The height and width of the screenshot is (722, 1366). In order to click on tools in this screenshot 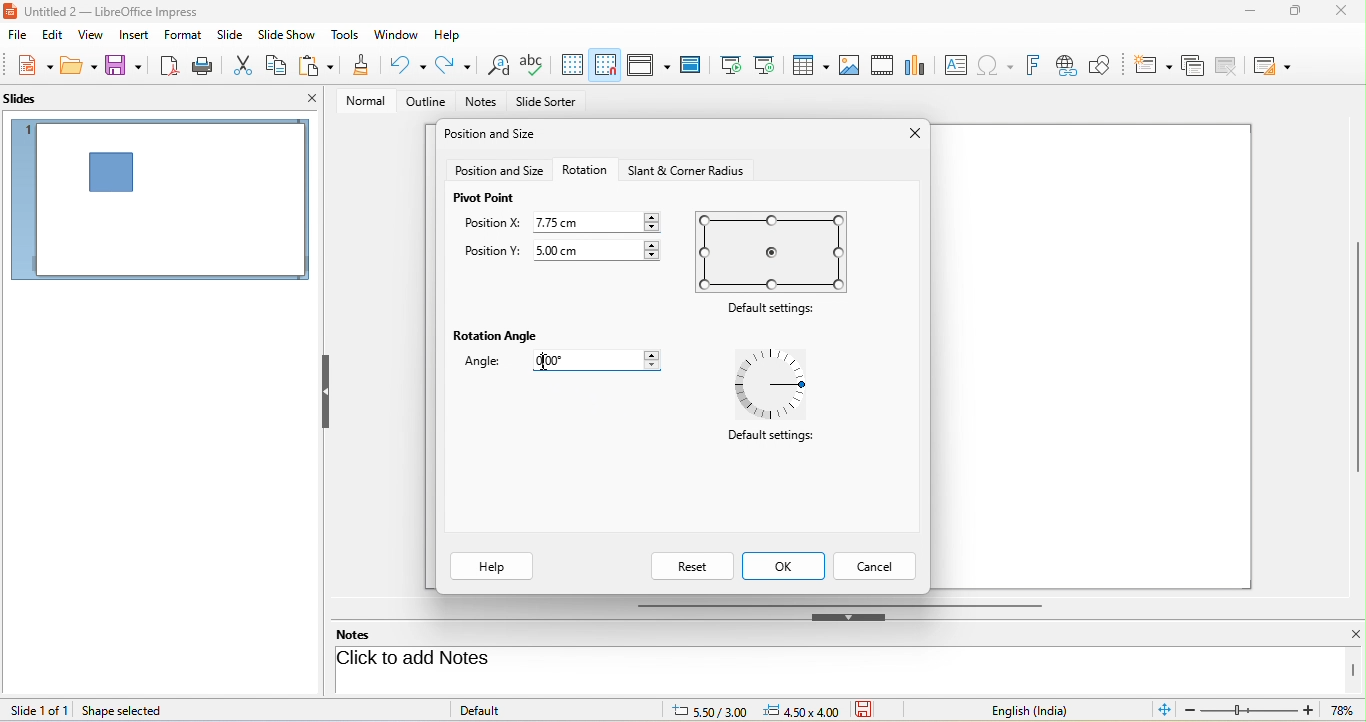, I will do `click(346, 36)`.